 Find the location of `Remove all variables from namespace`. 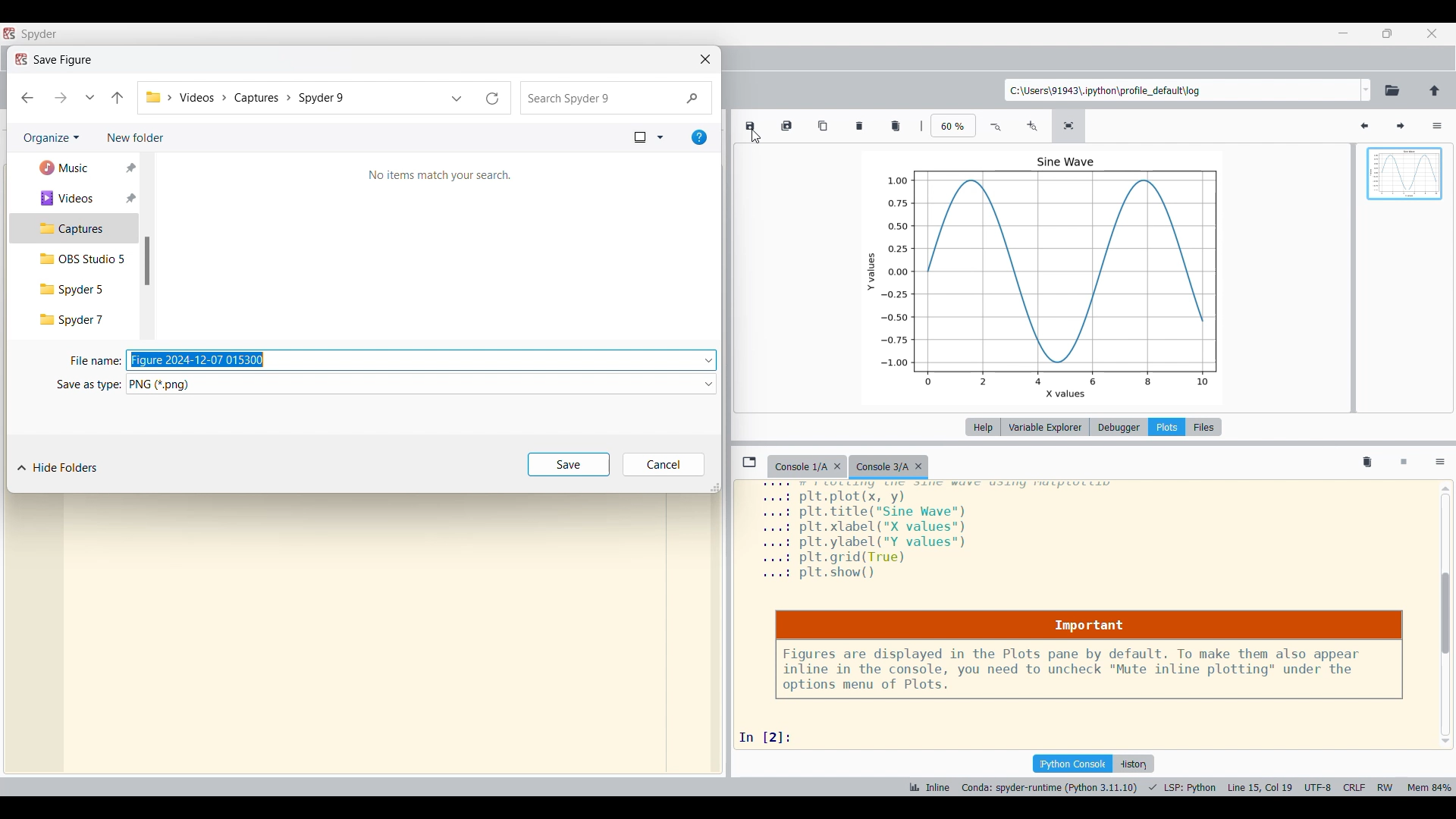

Remove all variables from namespace is located at coordinates (1367, 463).